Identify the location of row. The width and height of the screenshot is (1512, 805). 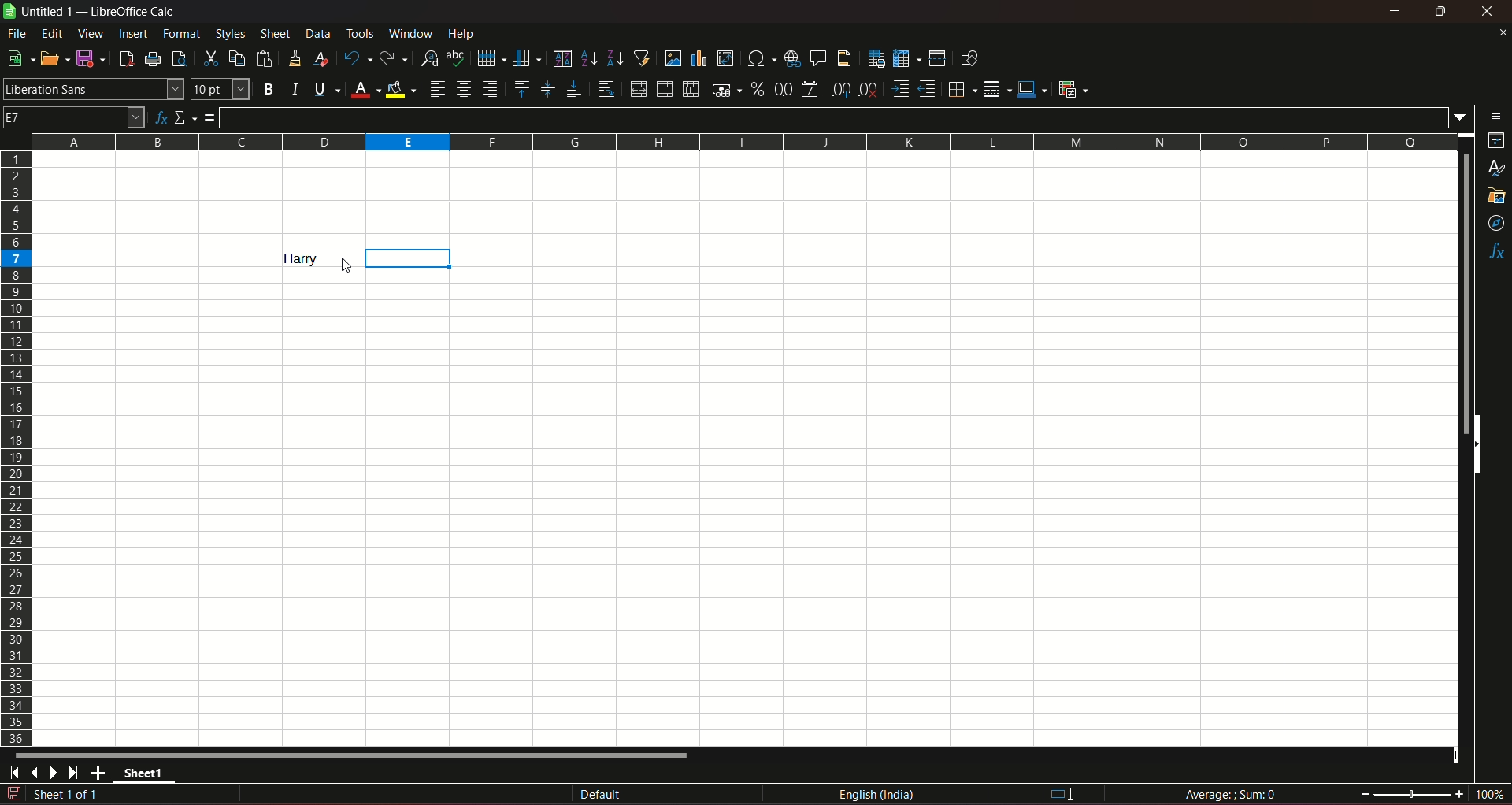
(487, 57).